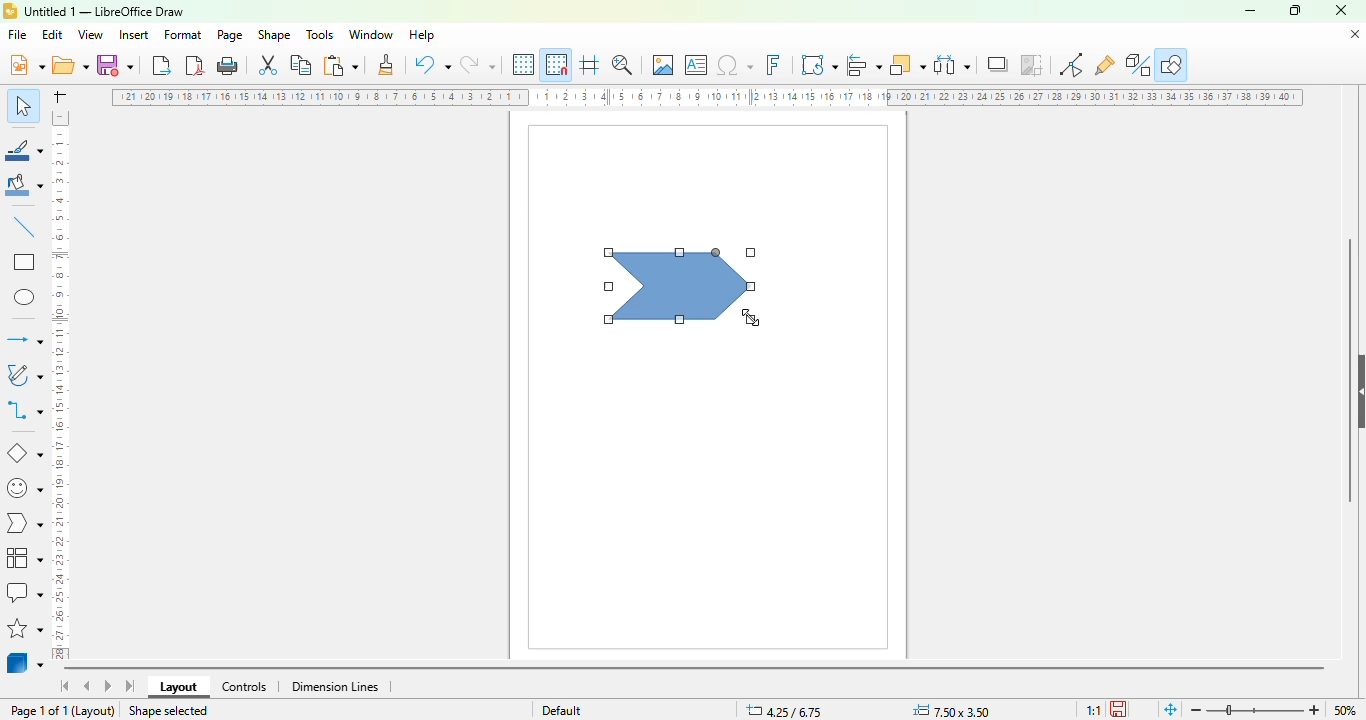  I want to click on change in X&Y coordinates, so click(784, 710).